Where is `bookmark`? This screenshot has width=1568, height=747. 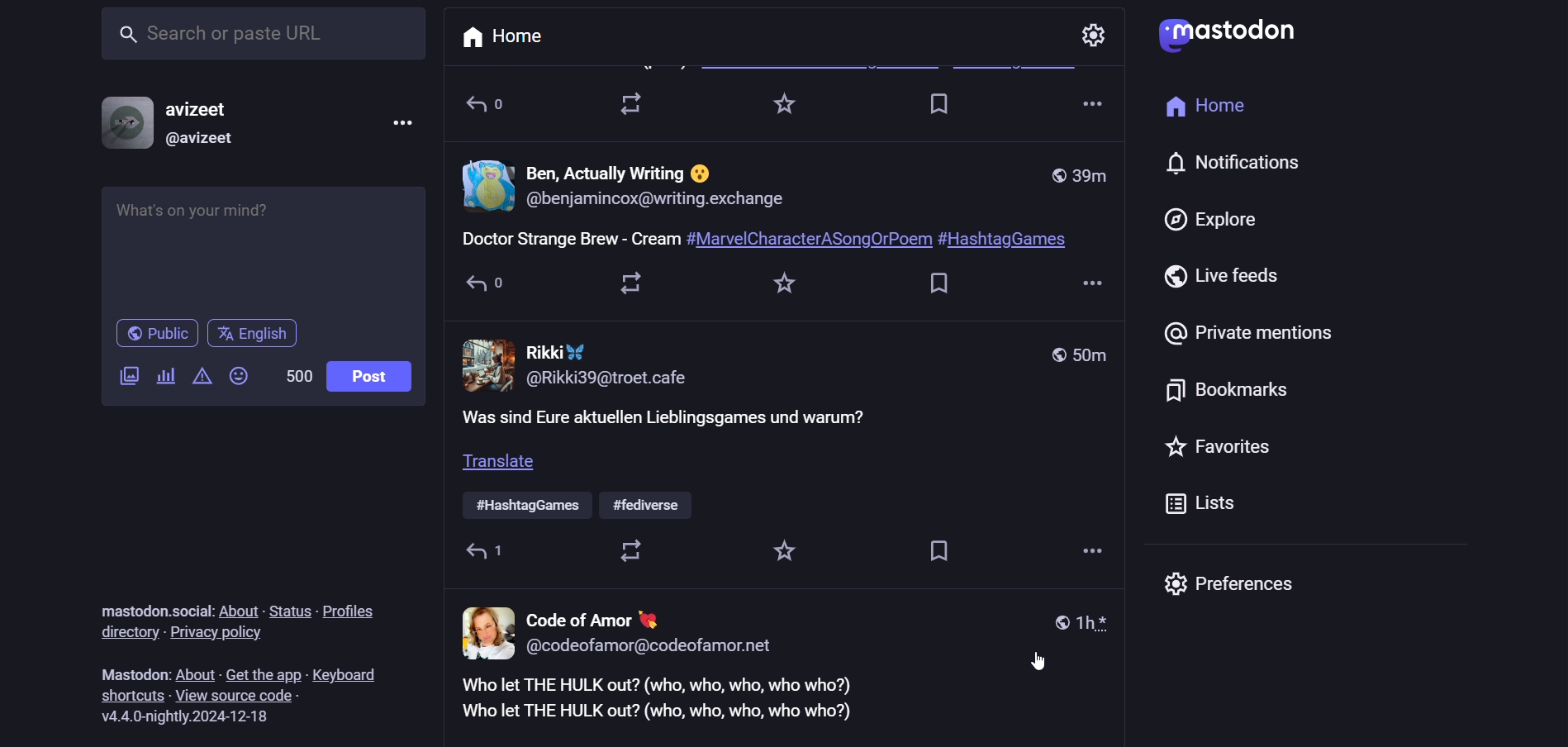 bookmark is located at coordinates (938, 551).